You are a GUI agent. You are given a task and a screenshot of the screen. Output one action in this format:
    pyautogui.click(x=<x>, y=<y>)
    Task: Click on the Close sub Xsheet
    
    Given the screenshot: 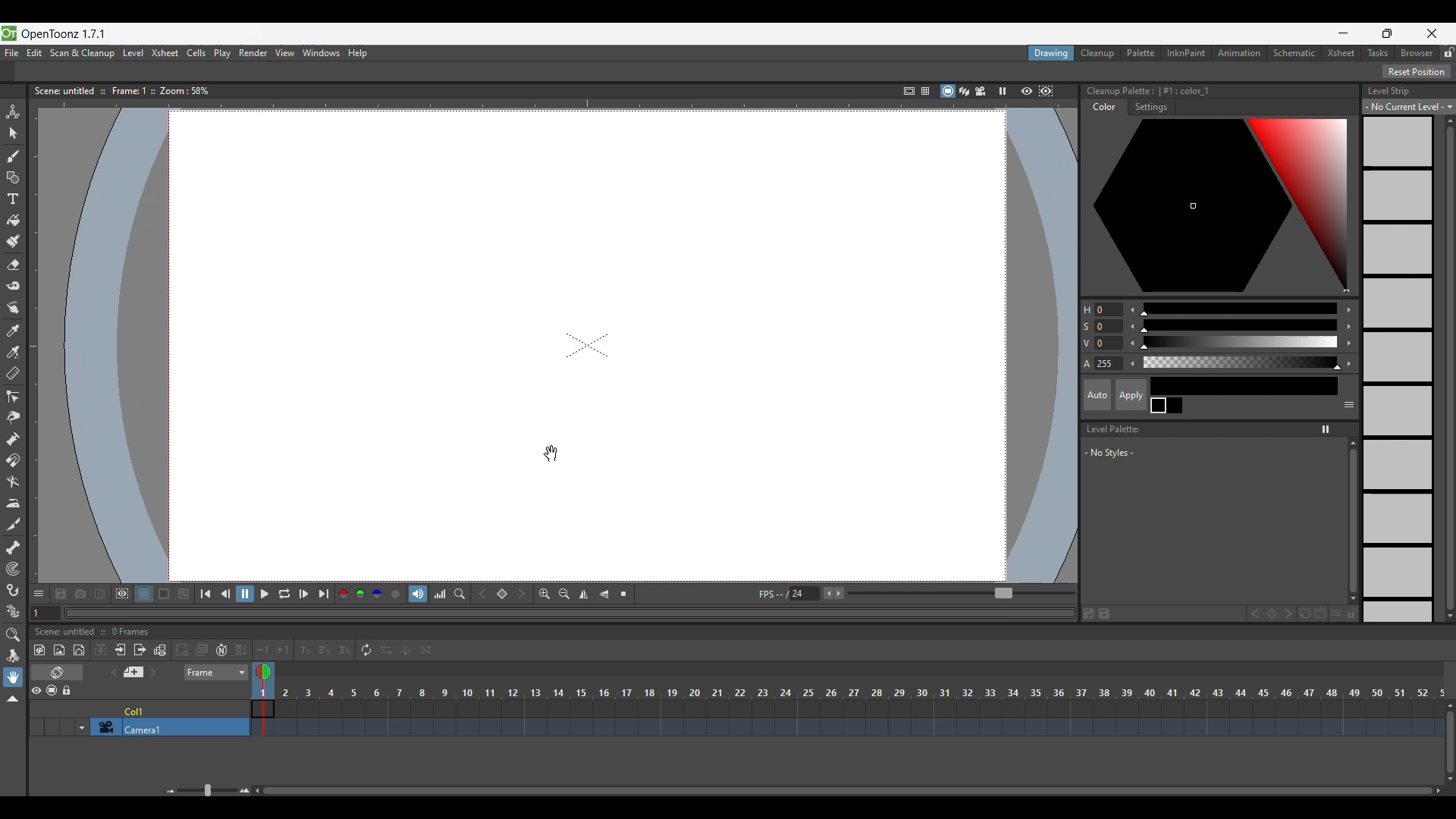 What is the action you would take?
    pyautogui.click(x=140, y=650)
    